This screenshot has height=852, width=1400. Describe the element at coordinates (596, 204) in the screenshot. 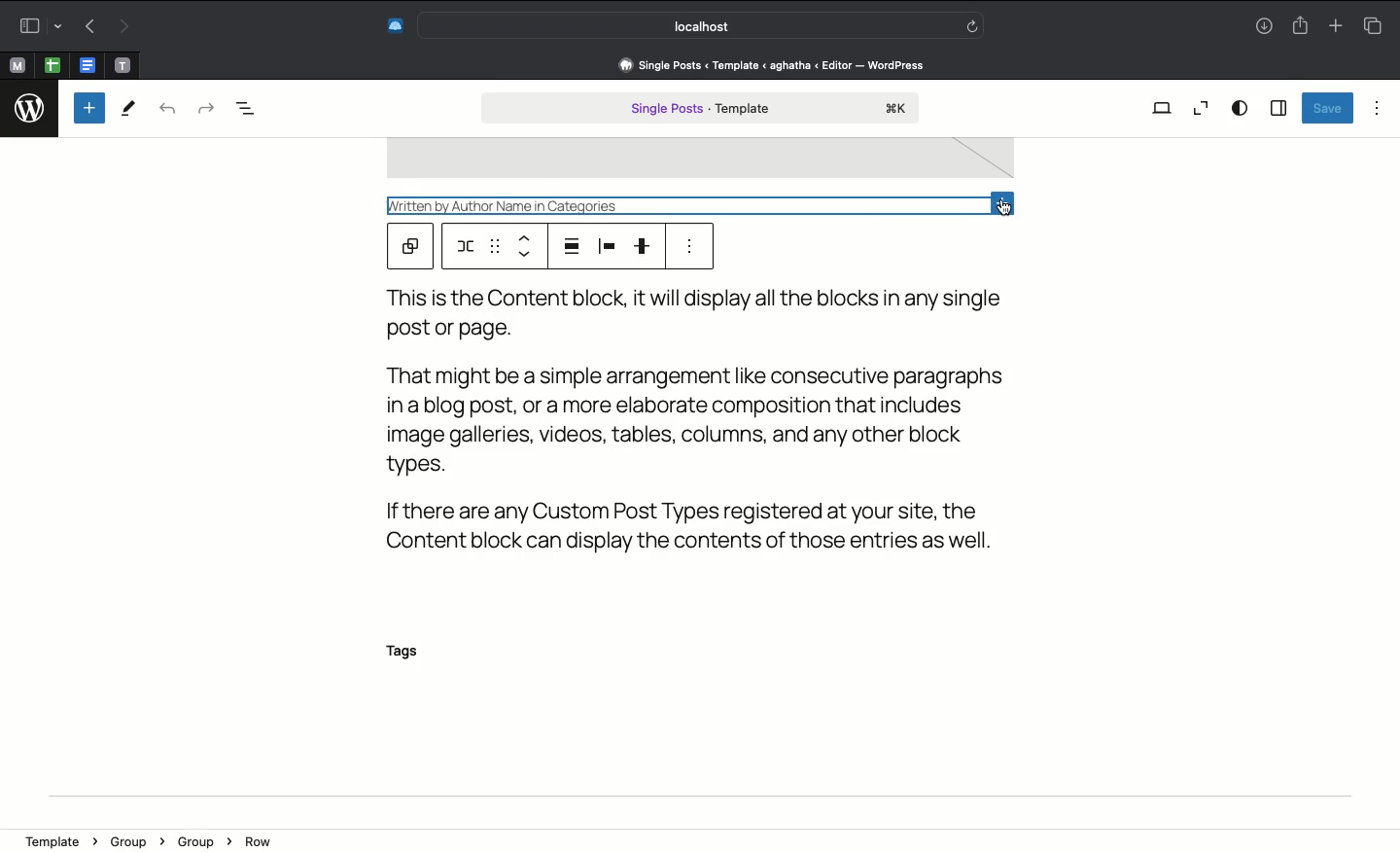

I see `Written by Author Name in Categories` at that location.